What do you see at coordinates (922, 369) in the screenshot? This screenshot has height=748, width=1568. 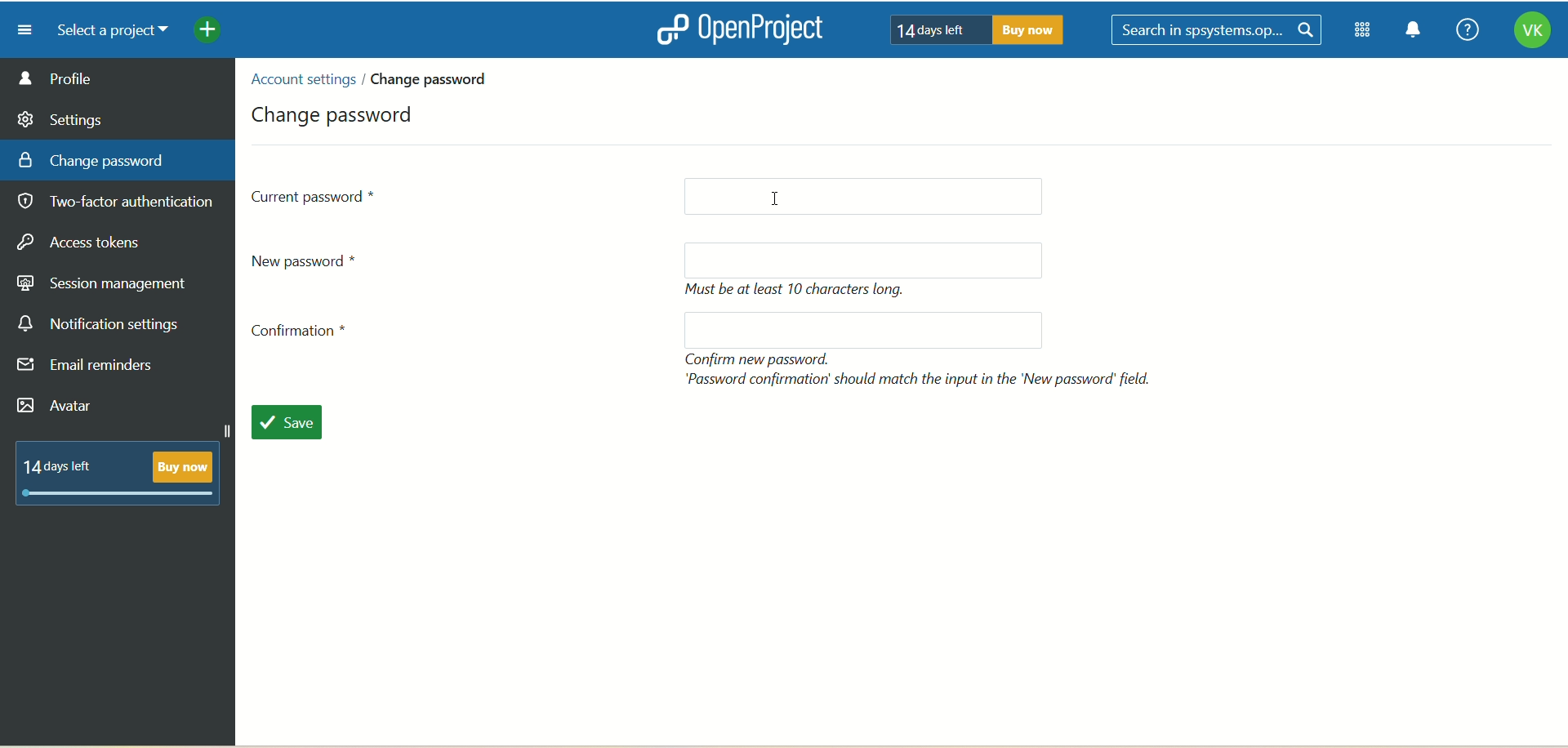 I see `text` at bounding box center [922, 369].